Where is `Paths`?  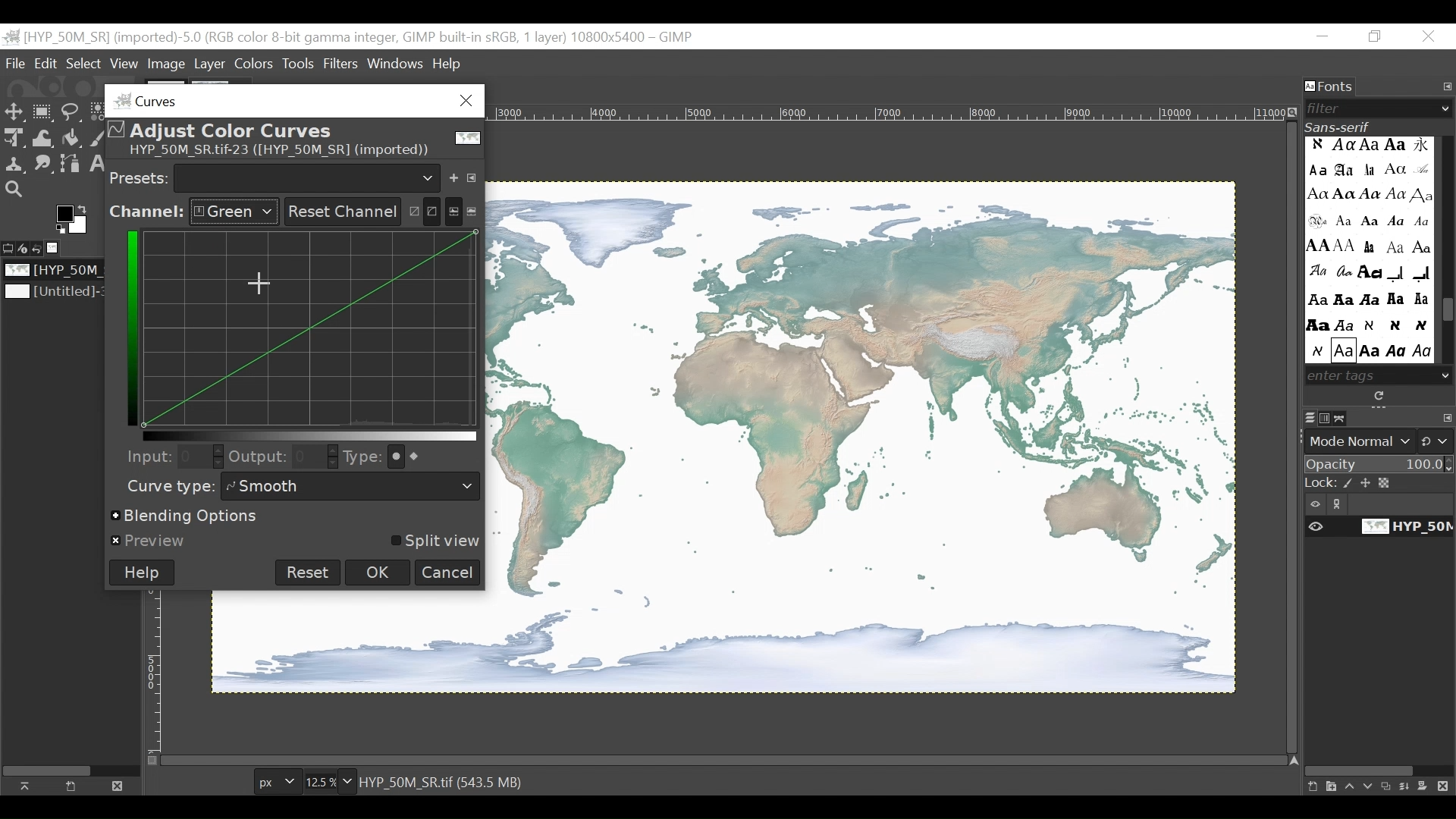
Paths is located at coordinates (1345, 418).